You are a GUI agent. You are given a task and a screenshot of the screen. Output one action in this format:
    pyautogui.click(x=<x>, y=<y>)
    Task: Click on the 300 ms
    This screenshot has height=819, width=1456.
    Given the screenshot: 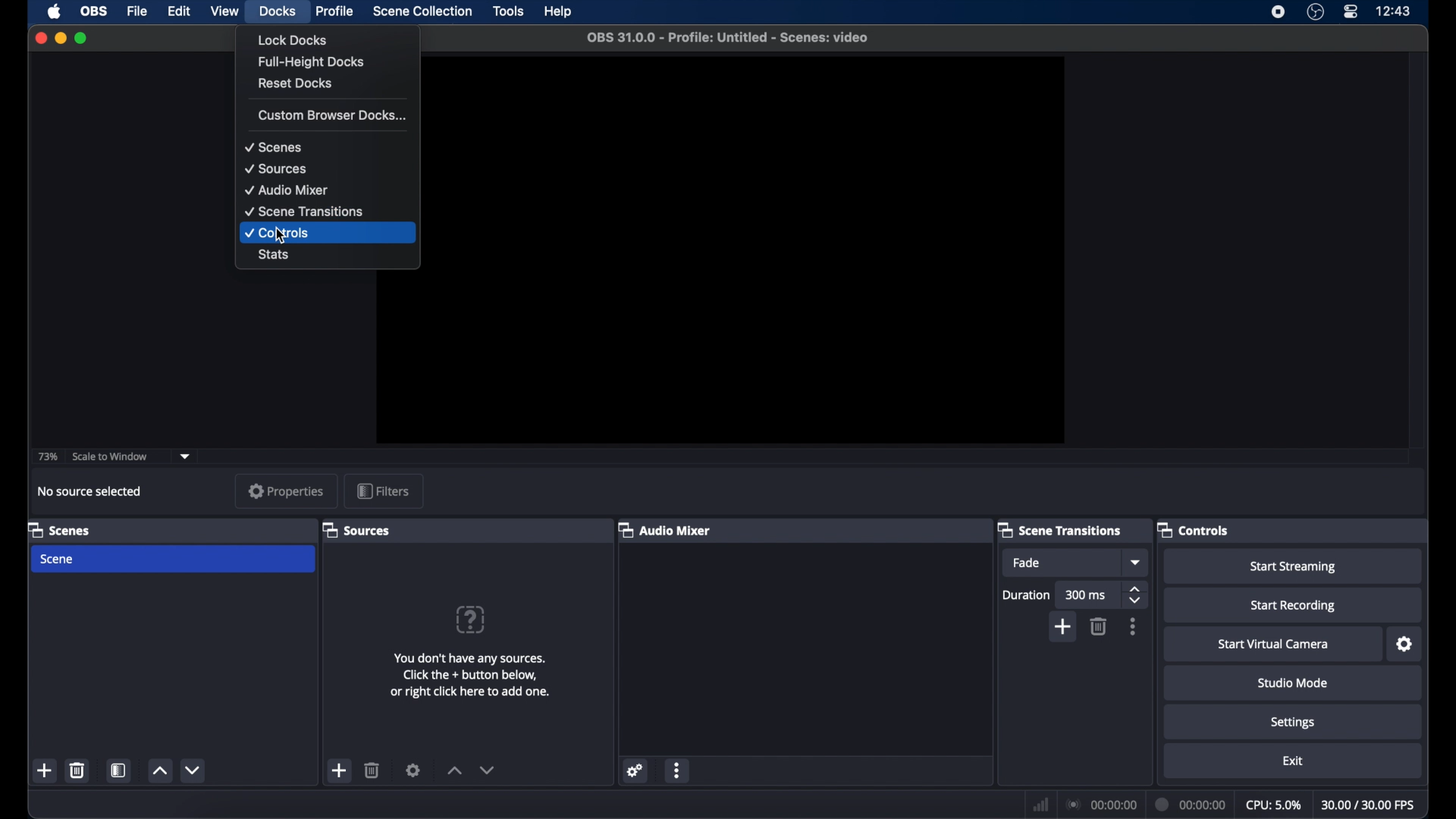 What is the action you would take?
    pyautogui.click(x=1086, y=595)
    